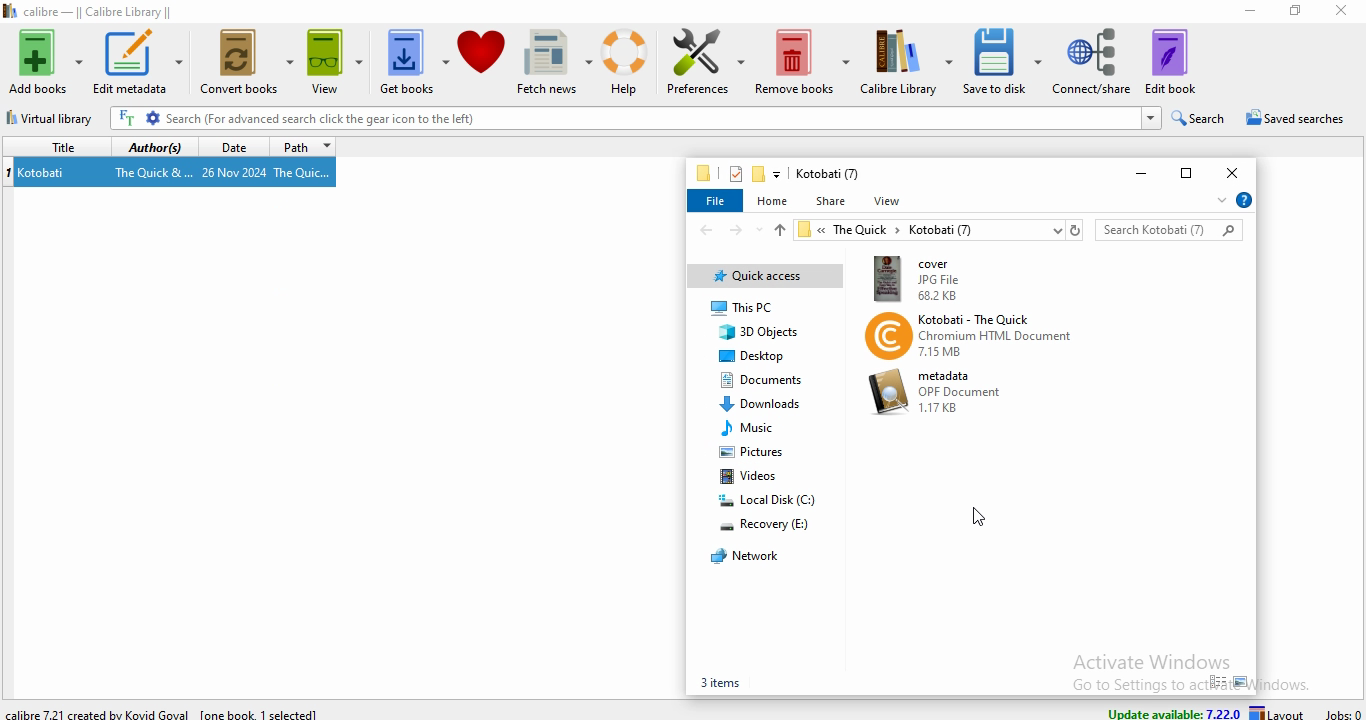 The width and height of the screenshot is (1366, 720). Describe the element at coordinates (751, 427) in the screenshot. I see `music` at that location.